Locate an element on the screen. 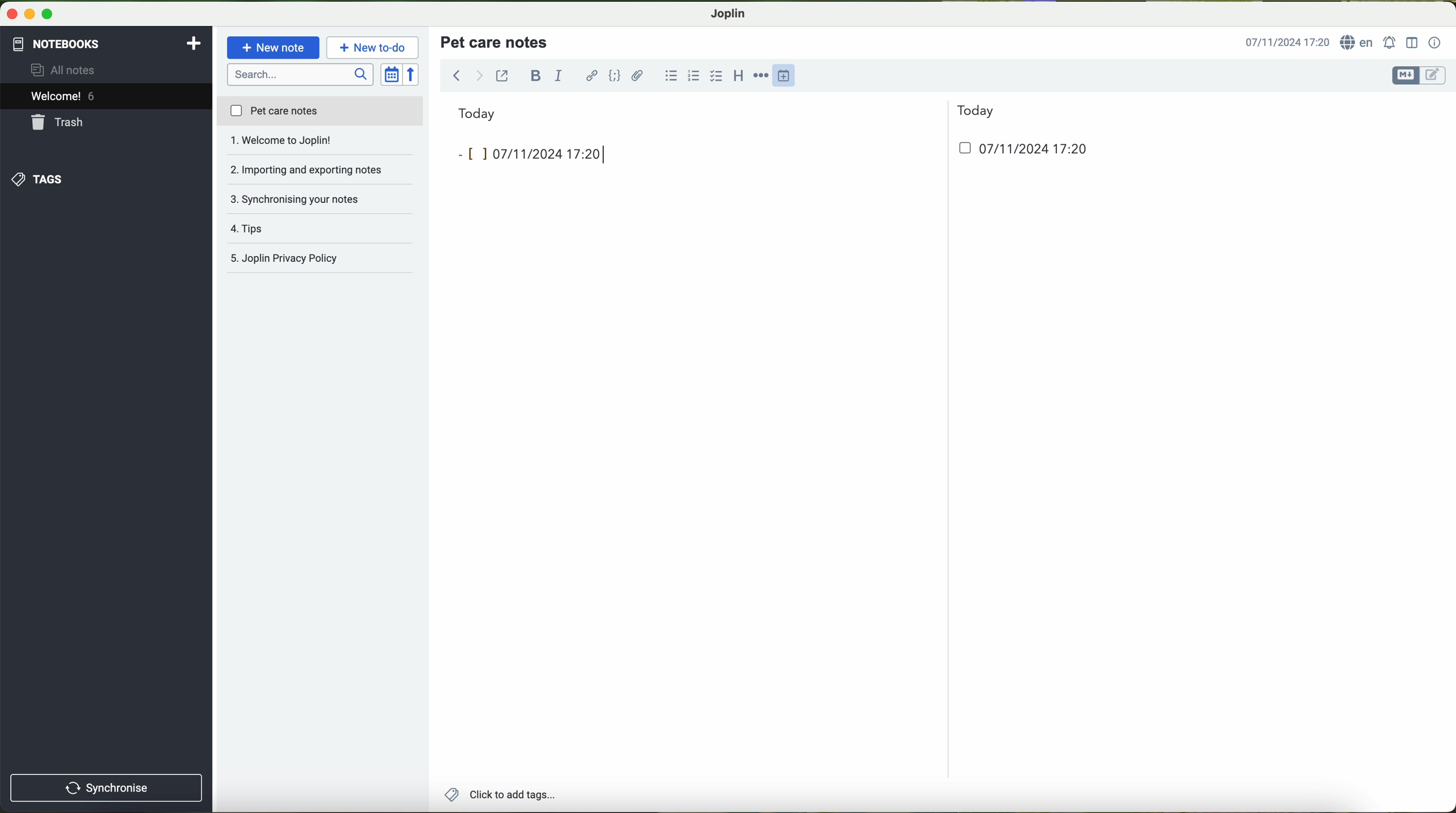  note properties is located at coordinates (1435, 43).